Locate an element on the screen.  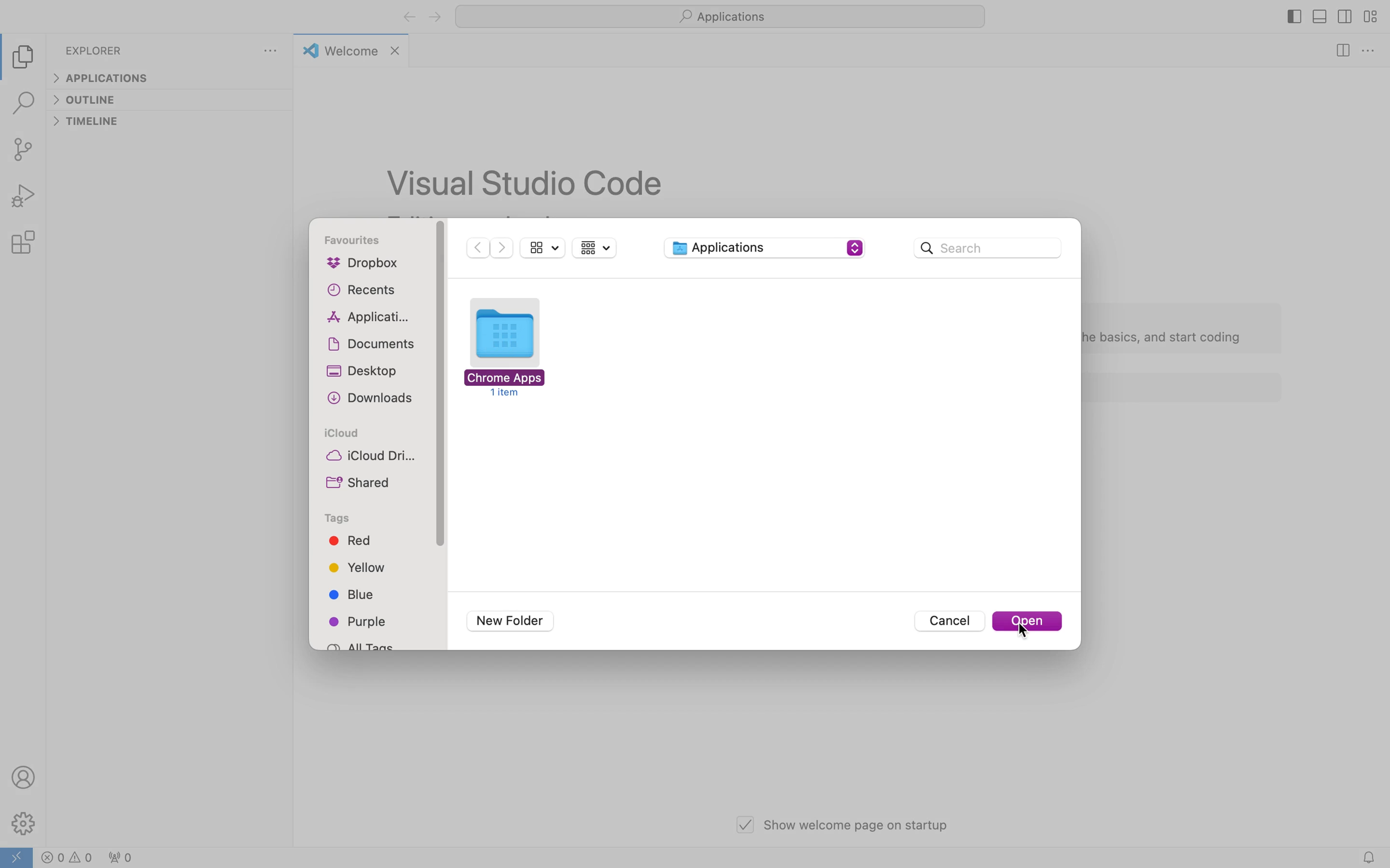
cancel is located at coordinates (949, 622).